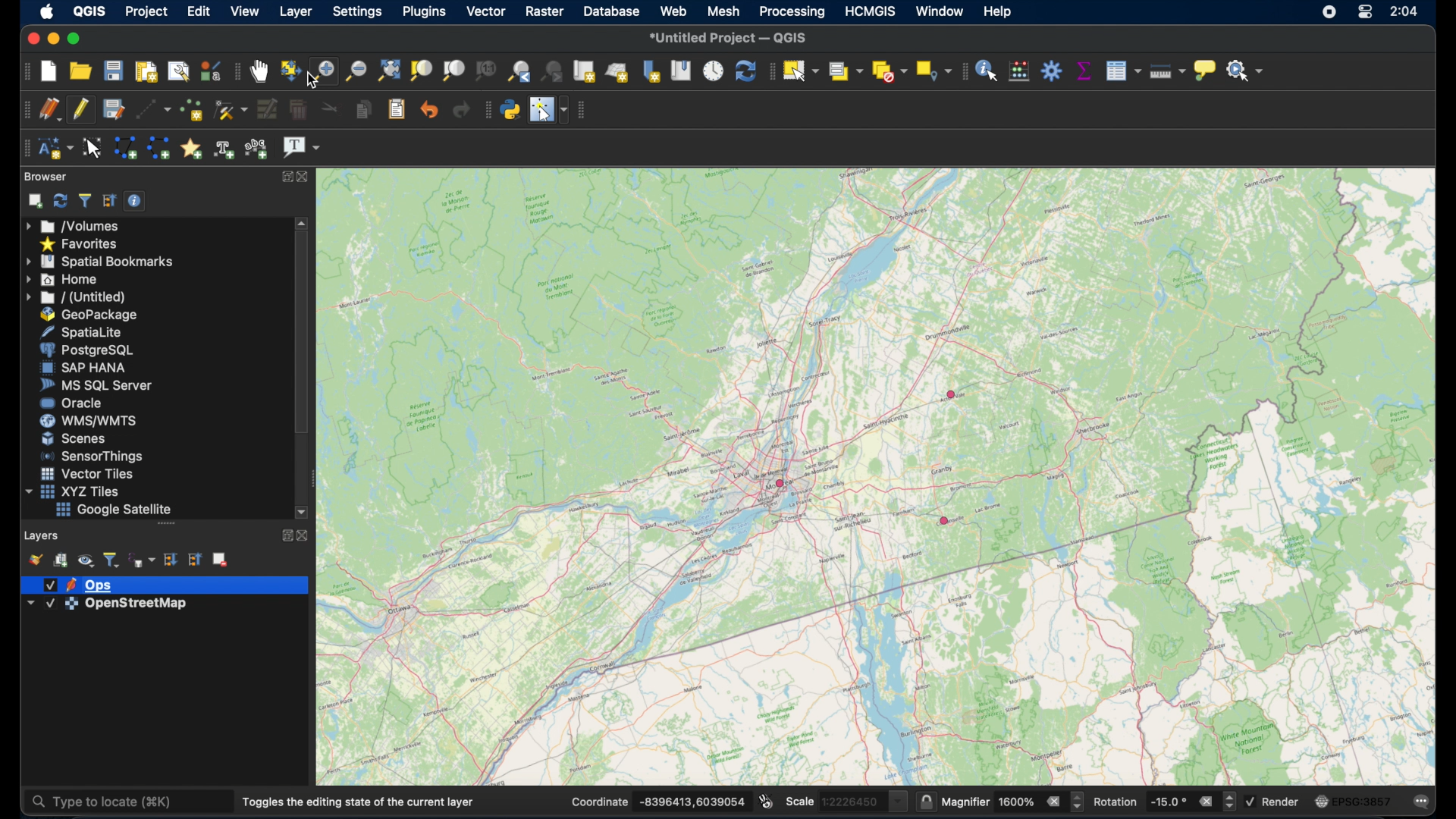 The height and width of the screenshot is (819, 1456). What do you see at coordinates (545, 11) in the screenshot?
I see `raster` at bounding box center [545, 11].